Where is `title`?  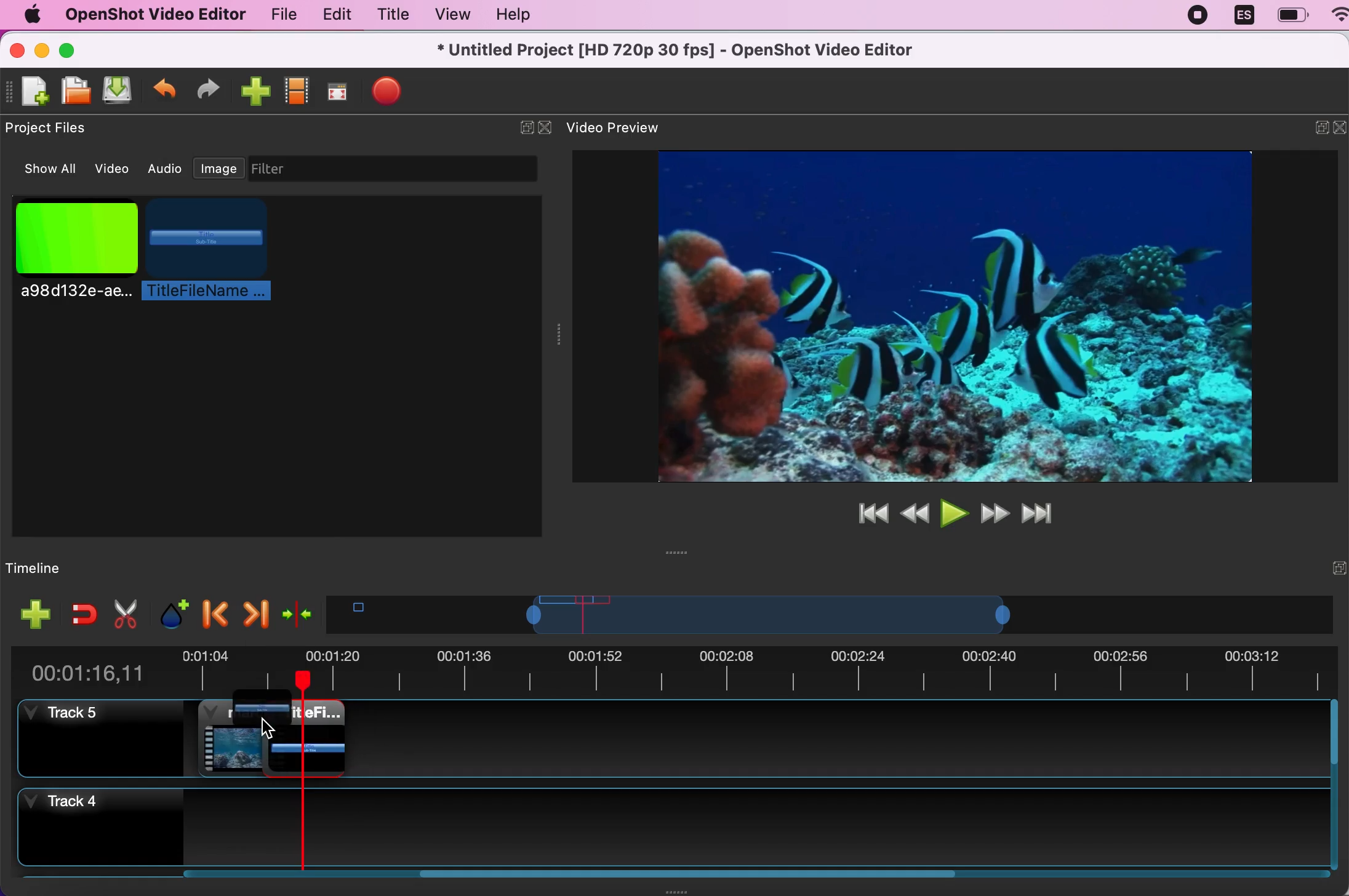
title is located at coordinates (273, 716).